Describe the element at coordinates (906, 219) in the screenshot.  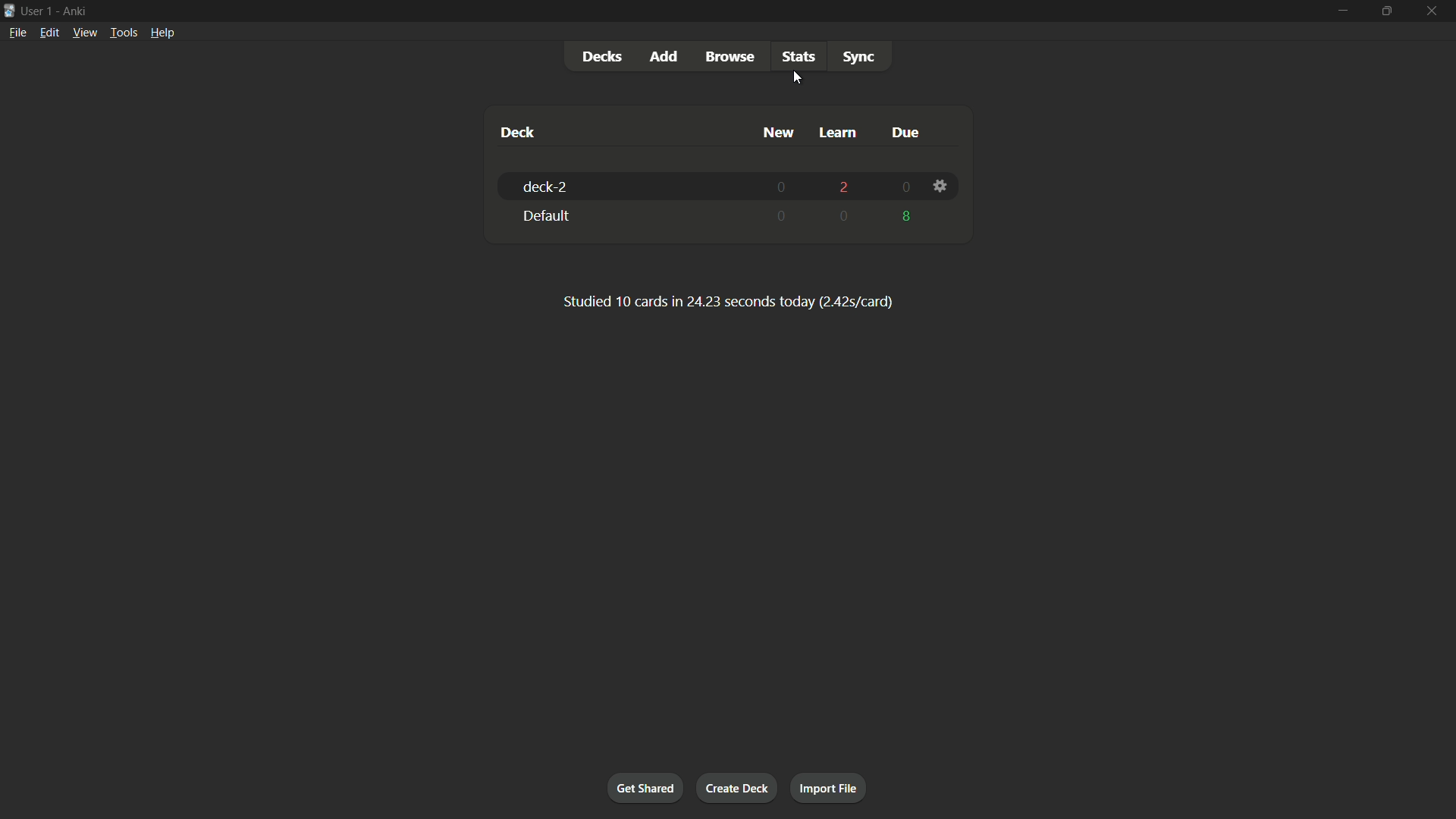
I see `8` at that location.